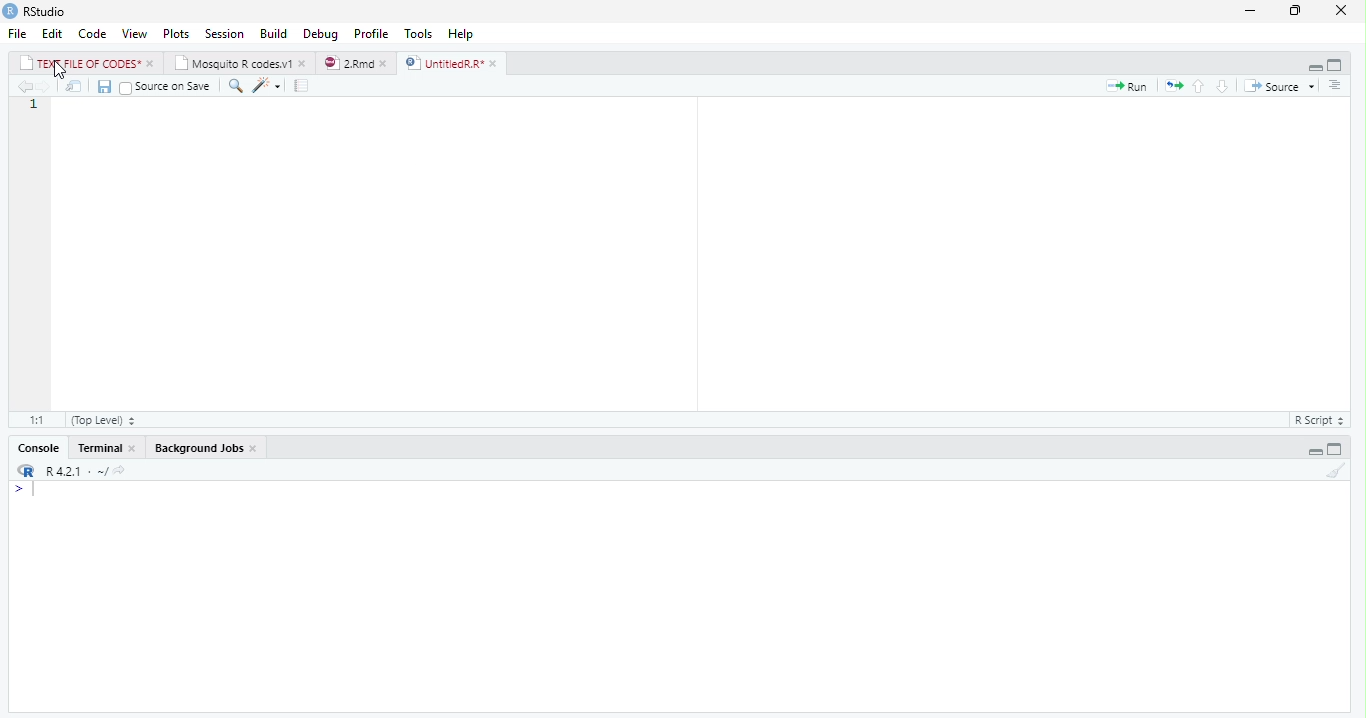 The image size is (1366, 718). Describe the element at coordinates (1320, 419) in the screenshot. I see `R Script` at that location.